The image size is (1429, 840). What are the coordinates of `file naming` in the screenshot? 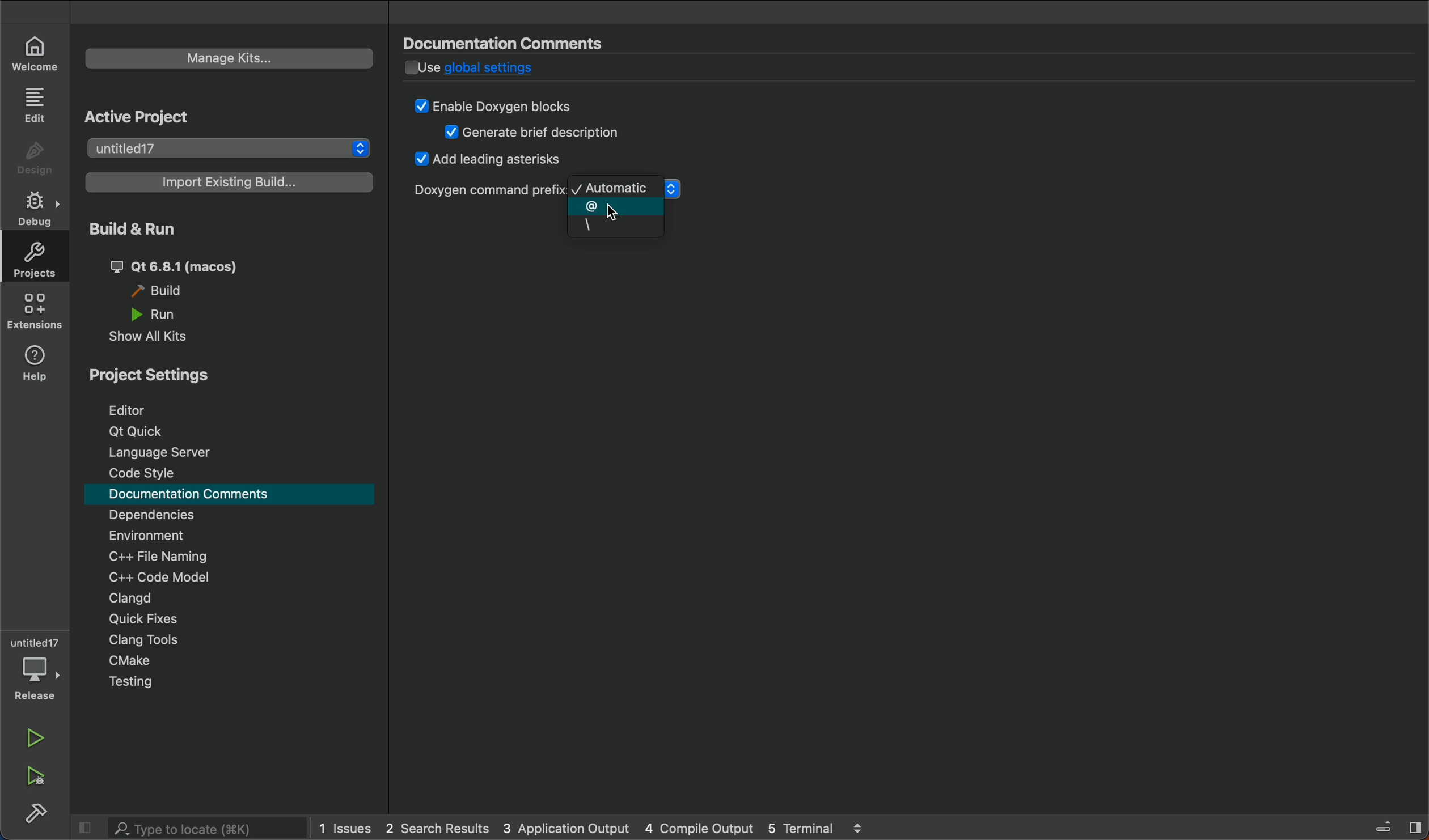 It's located at (166, 554).